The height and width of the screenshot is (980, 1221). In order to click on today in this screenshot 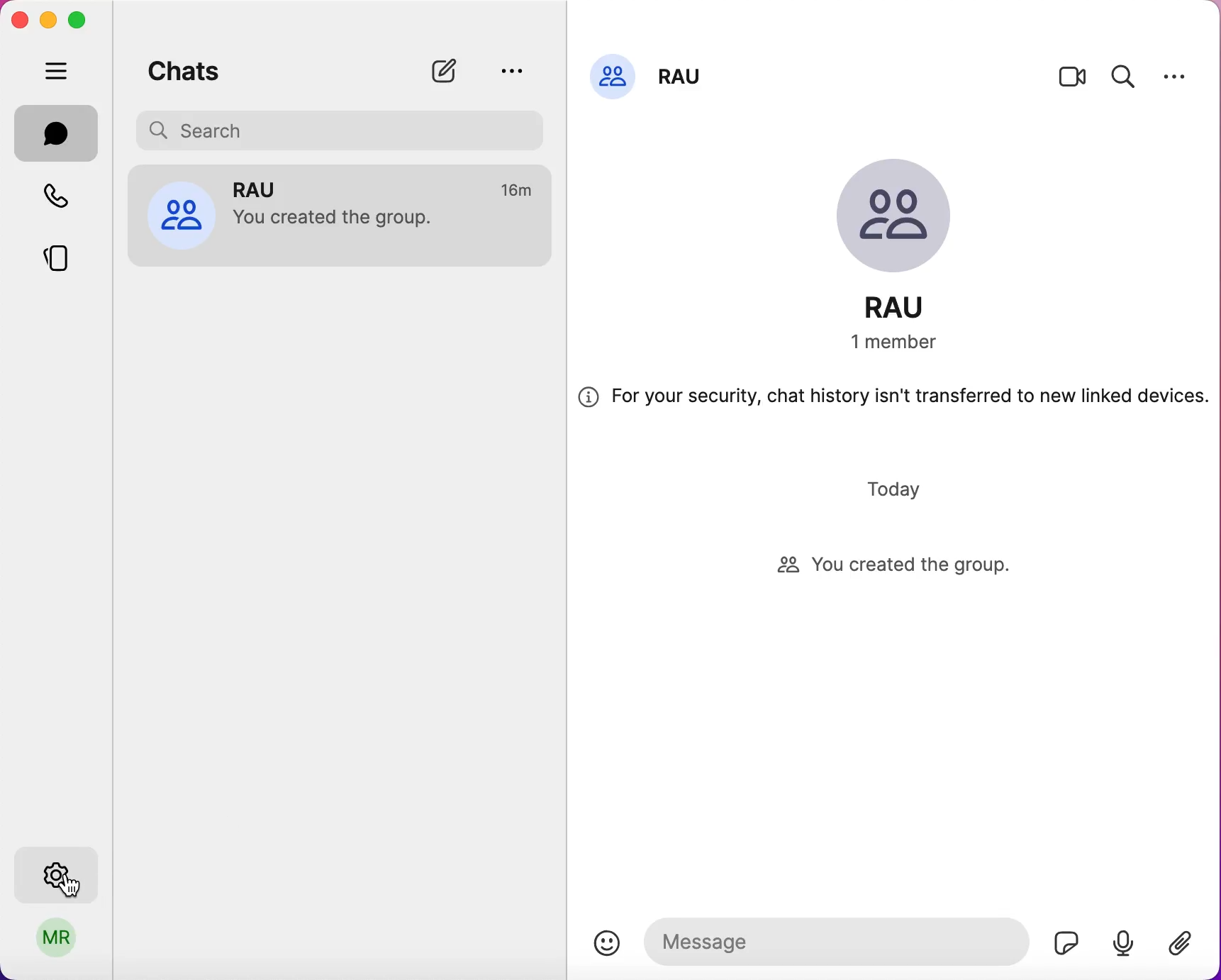, I will do `click(898, 489)`.